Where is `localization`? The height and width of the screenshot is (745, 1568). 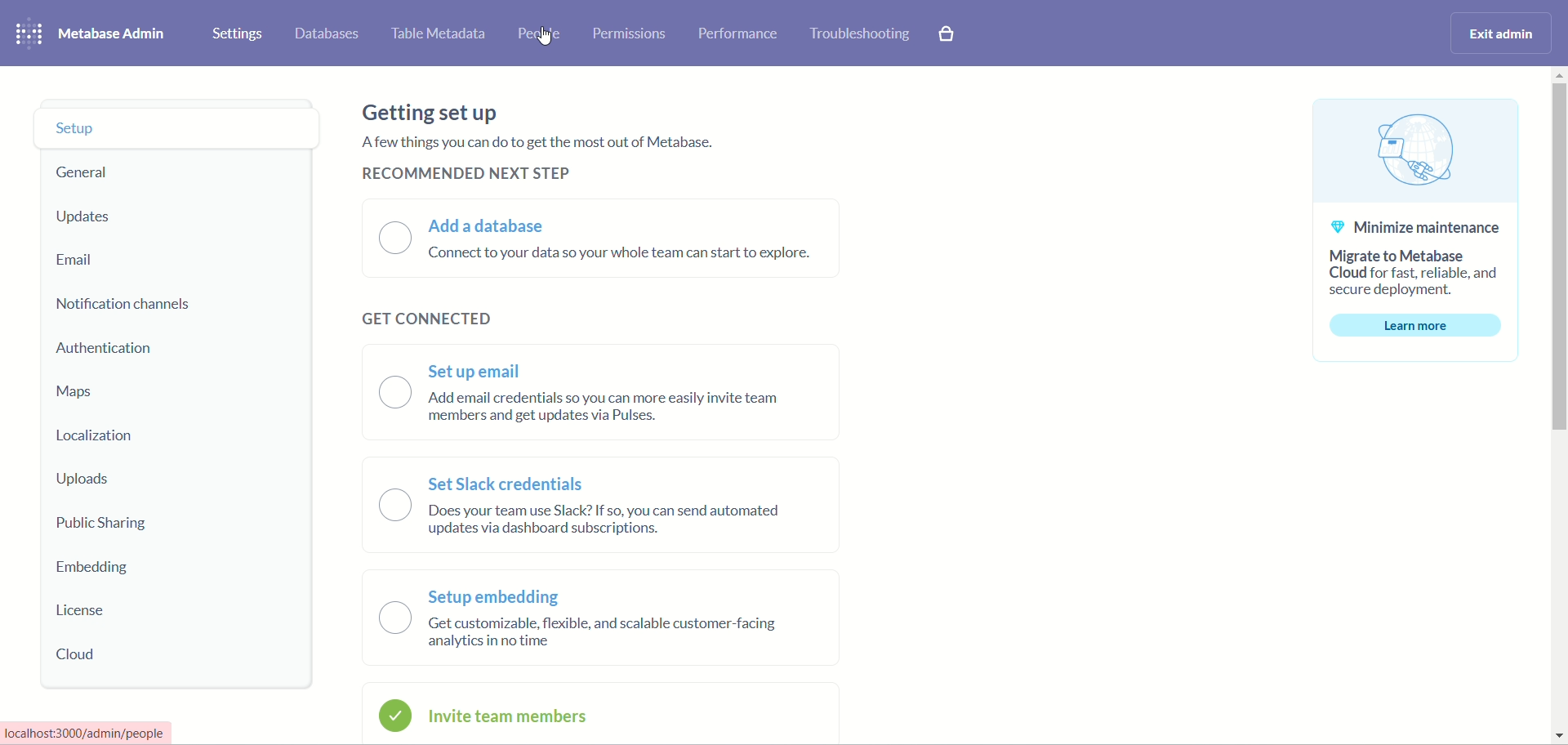 localization is located at coordinates (100, 436).